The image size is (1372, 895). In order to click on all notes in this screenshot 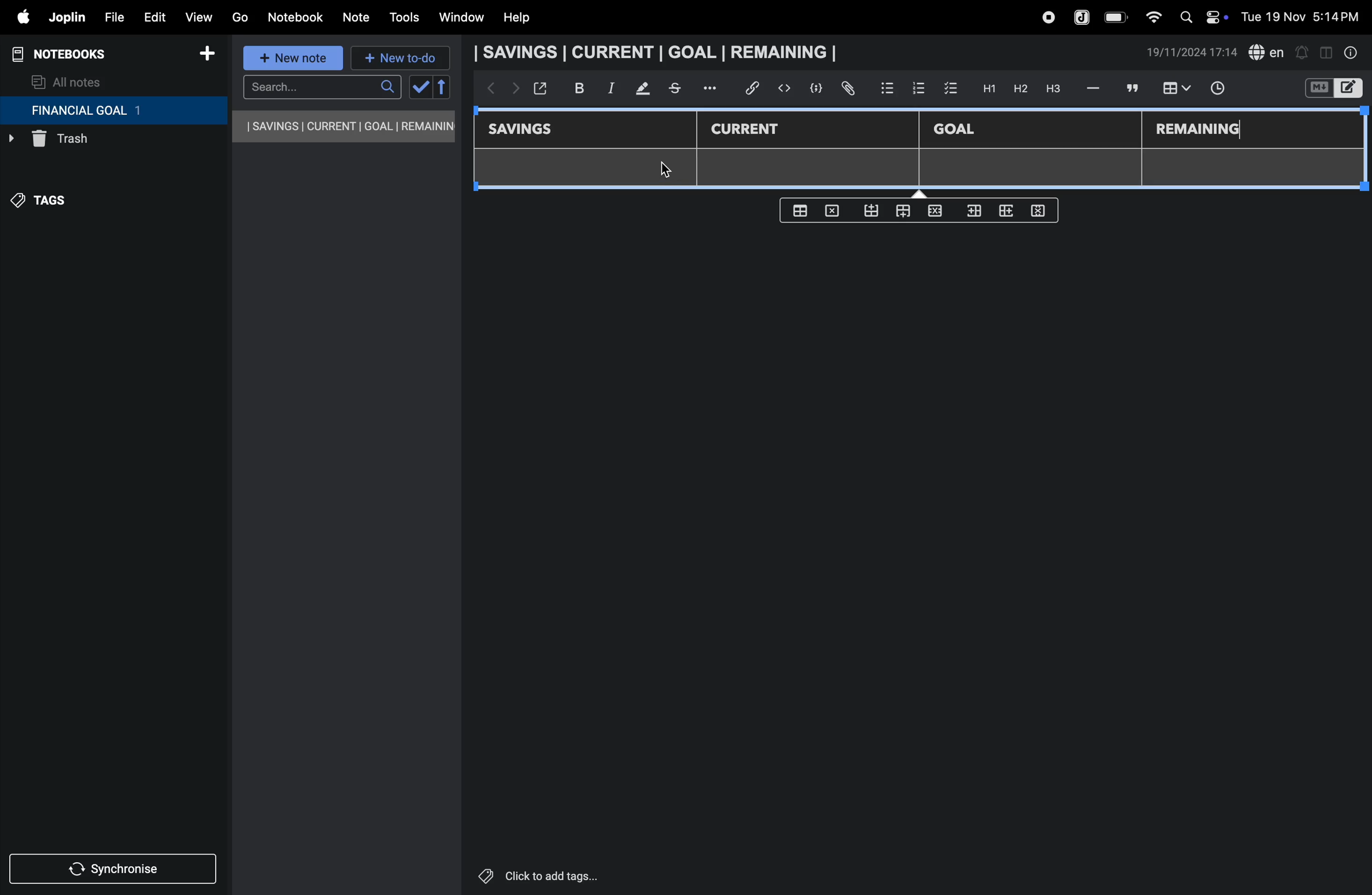, I will do `click(67, 81)`.